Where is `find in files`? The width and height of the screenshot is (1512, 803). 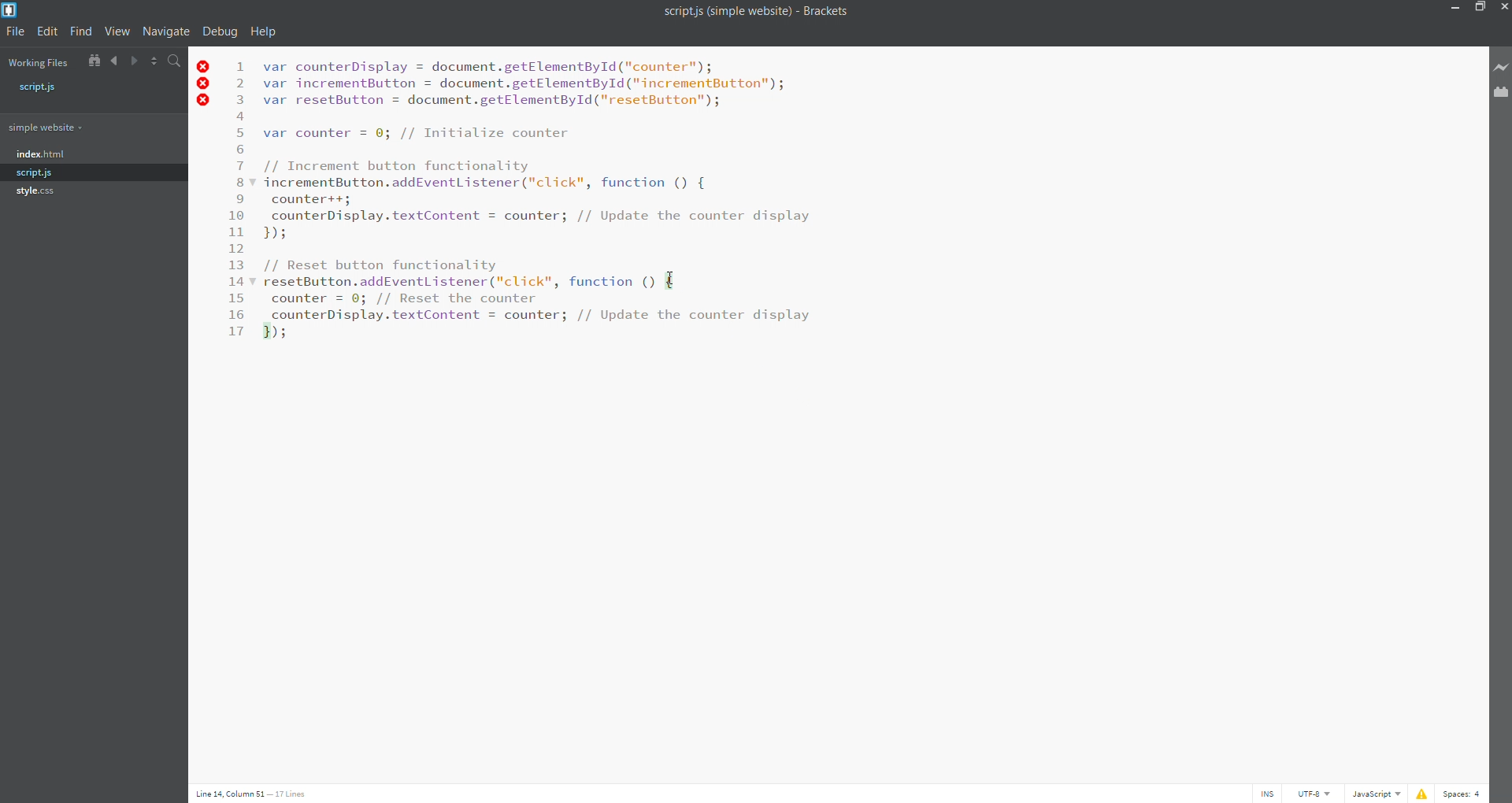
find in files is located at coordinates (173, 59).